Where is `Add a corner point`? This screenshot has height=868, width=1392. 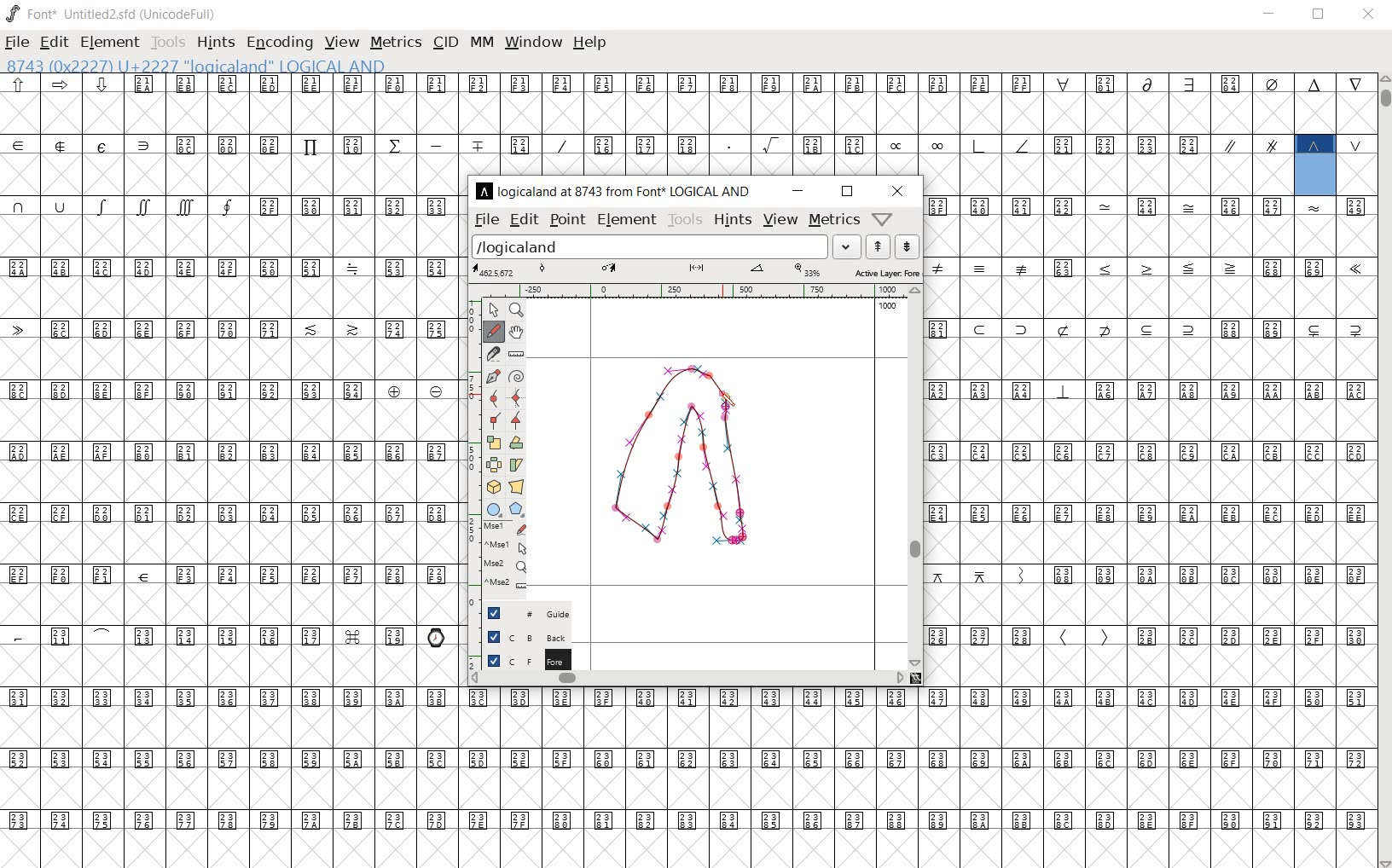 Add a corner point is located at coordinates (517, 420).